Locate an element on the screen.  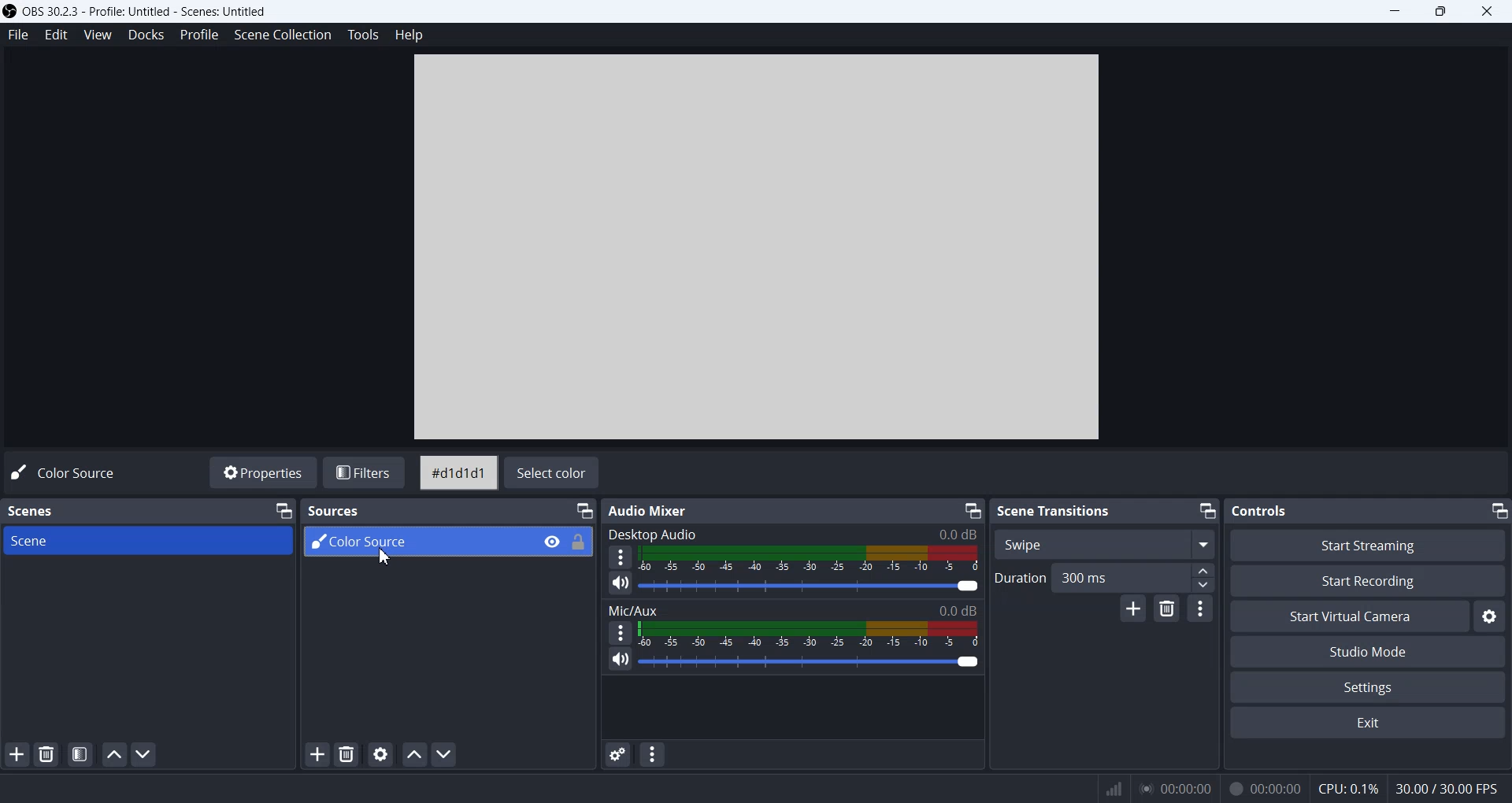
Add Scene is located at coordinates (17, 753).